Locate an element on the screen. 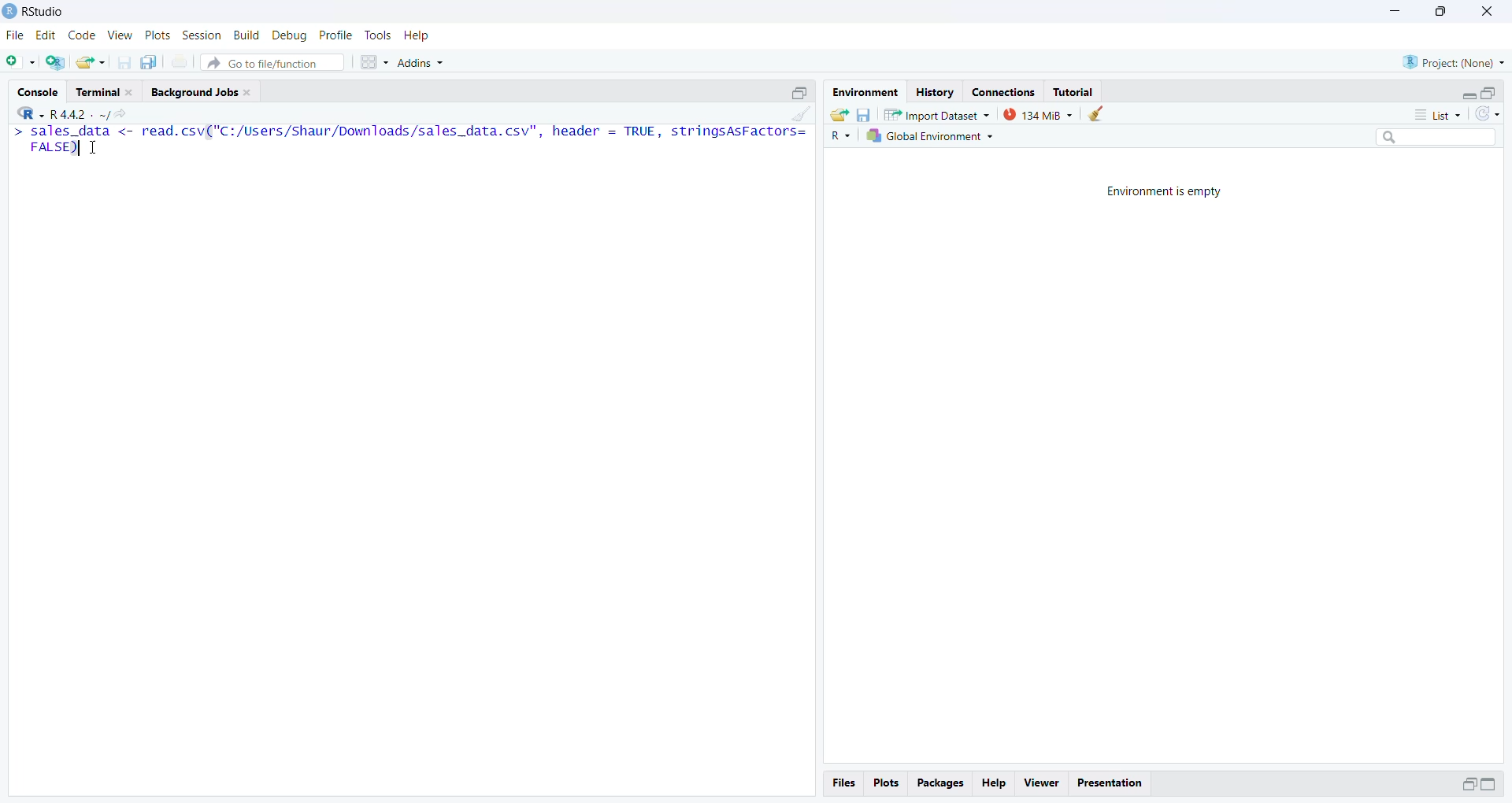 This screenshot has width=1512, height=803. view is located at coordinates (124, 35).